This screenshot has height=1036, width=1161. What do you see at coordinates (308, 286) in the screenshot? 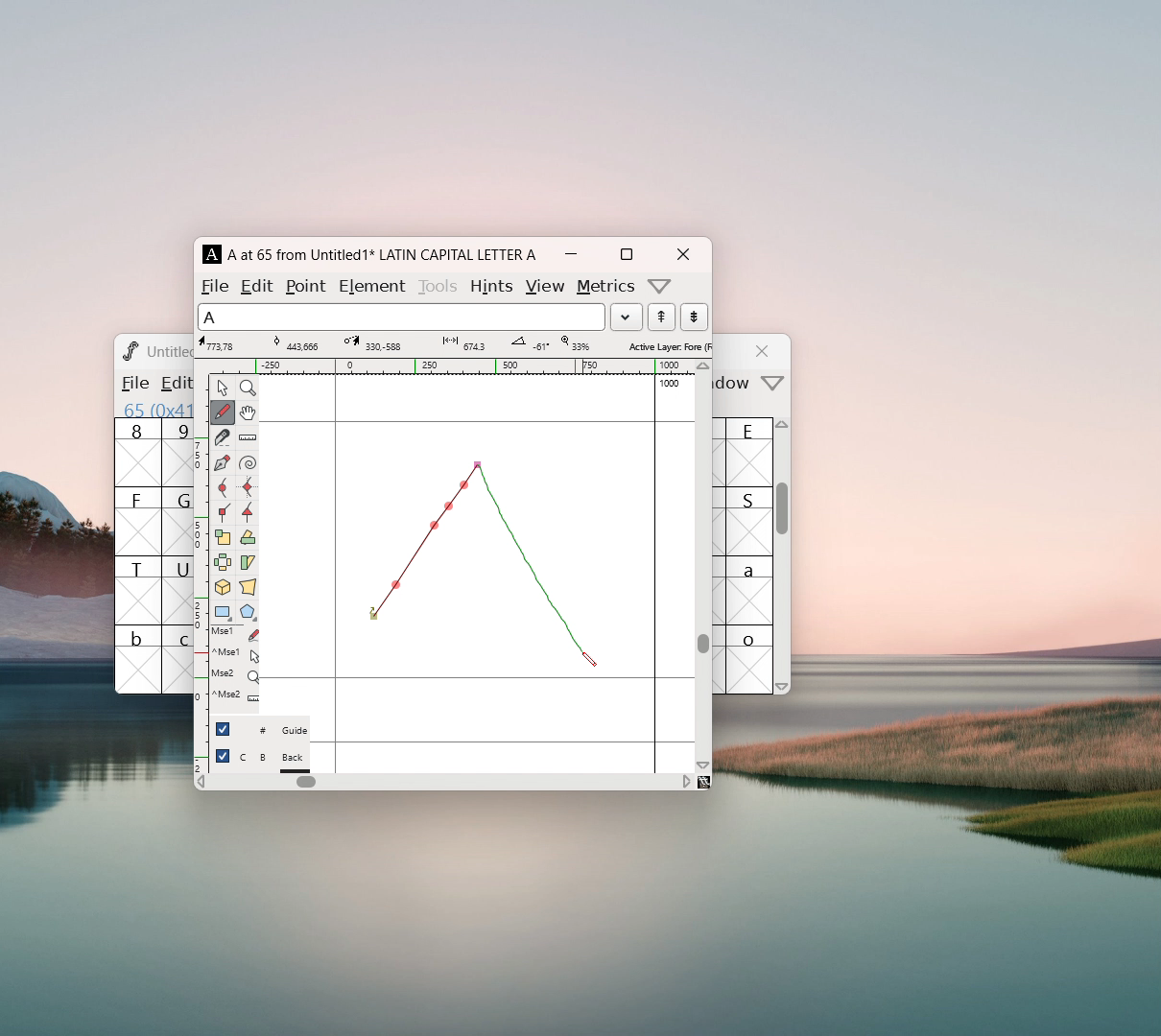
I see `point` at bounding box center [308, 286].